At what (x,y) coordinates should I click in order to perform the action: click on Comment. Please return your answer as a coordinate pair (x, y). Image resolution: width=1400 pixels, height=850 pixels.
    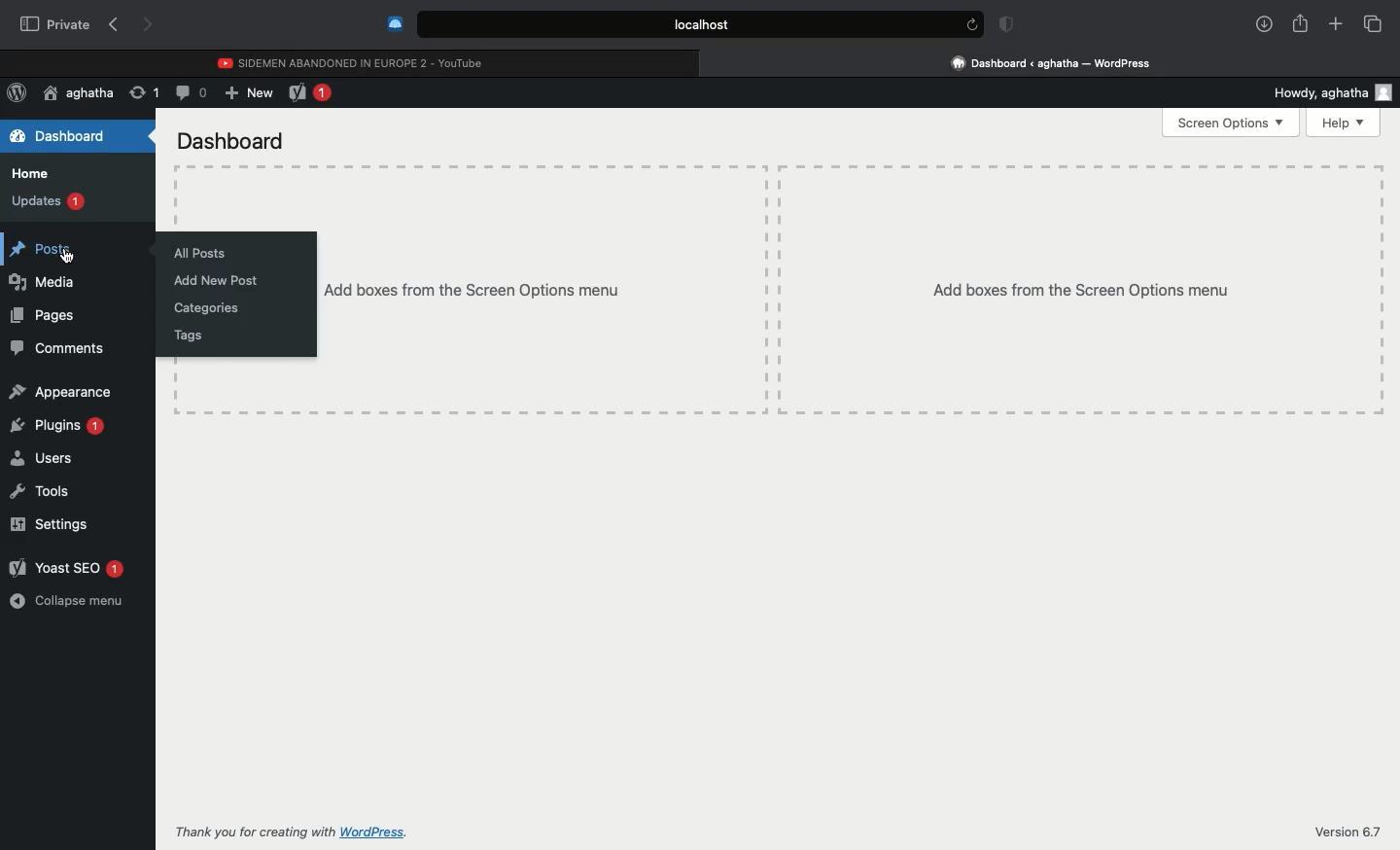
    Looking at the image, I should click on (192, 91).